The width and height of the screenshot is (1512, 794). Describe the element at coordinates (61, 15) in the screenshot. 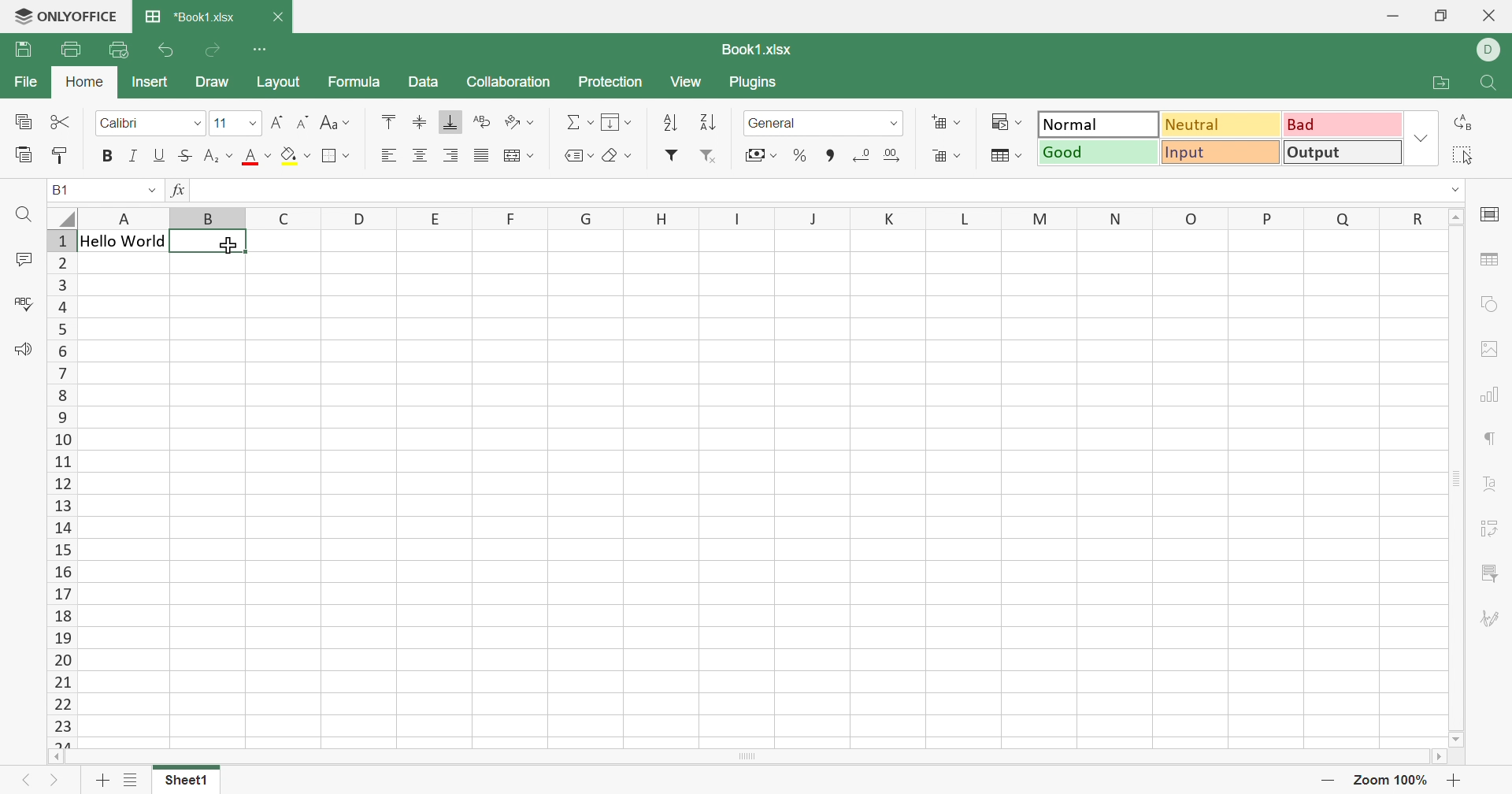

I see `ONLYOFFICE` at that location.